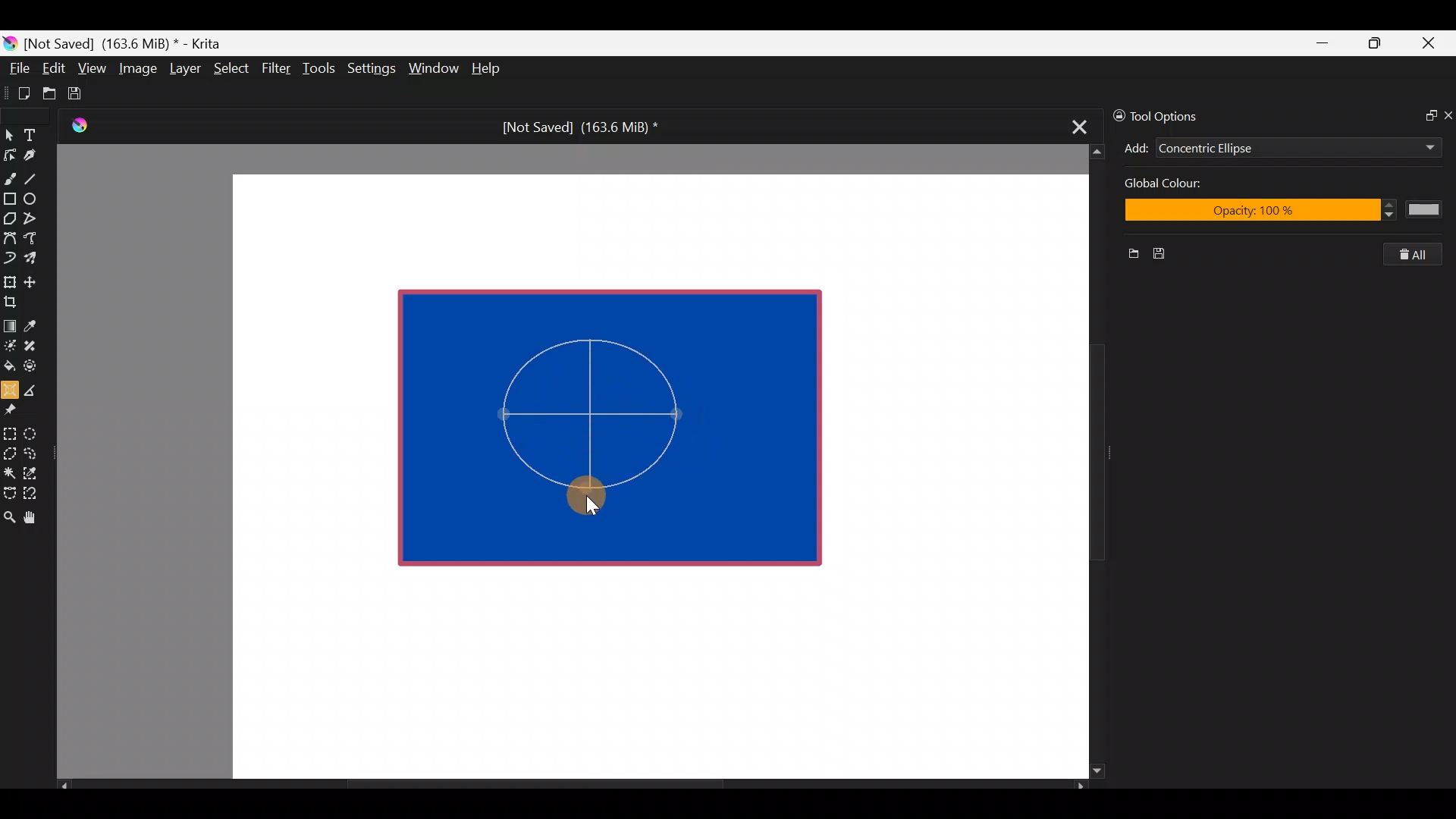  What do you see at coordinates (37, 197) in the screenshot?
I see `Ellipse tool` at bounding box center [37, 197].